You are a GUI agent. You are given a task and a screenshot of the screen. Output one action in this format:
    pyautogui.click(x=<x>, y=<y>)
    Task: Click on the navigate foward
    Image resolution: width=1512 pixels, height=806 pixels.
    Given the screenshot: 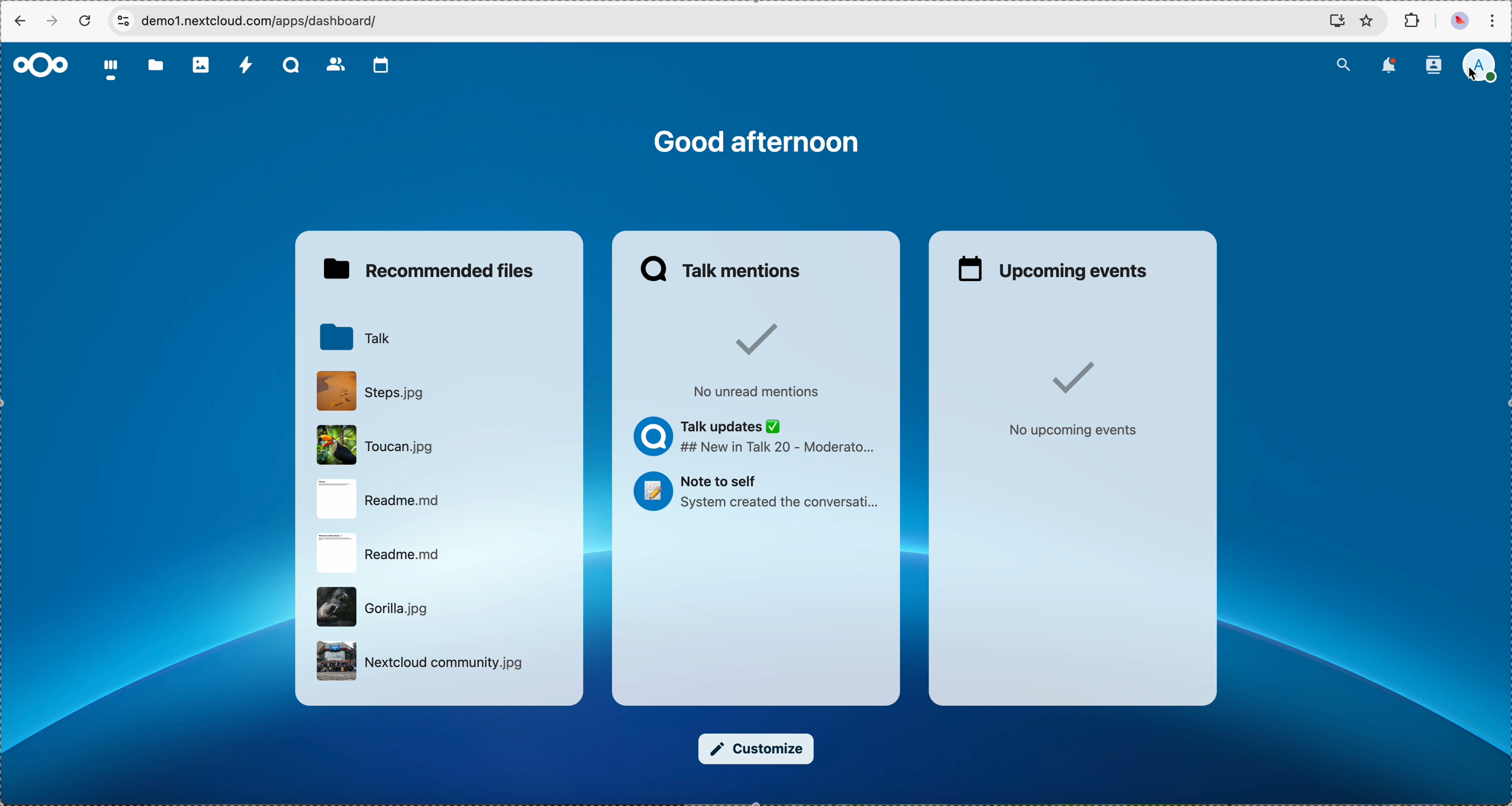 What is the action you would take?
    pyautogui.click(x=54, y=21)
    